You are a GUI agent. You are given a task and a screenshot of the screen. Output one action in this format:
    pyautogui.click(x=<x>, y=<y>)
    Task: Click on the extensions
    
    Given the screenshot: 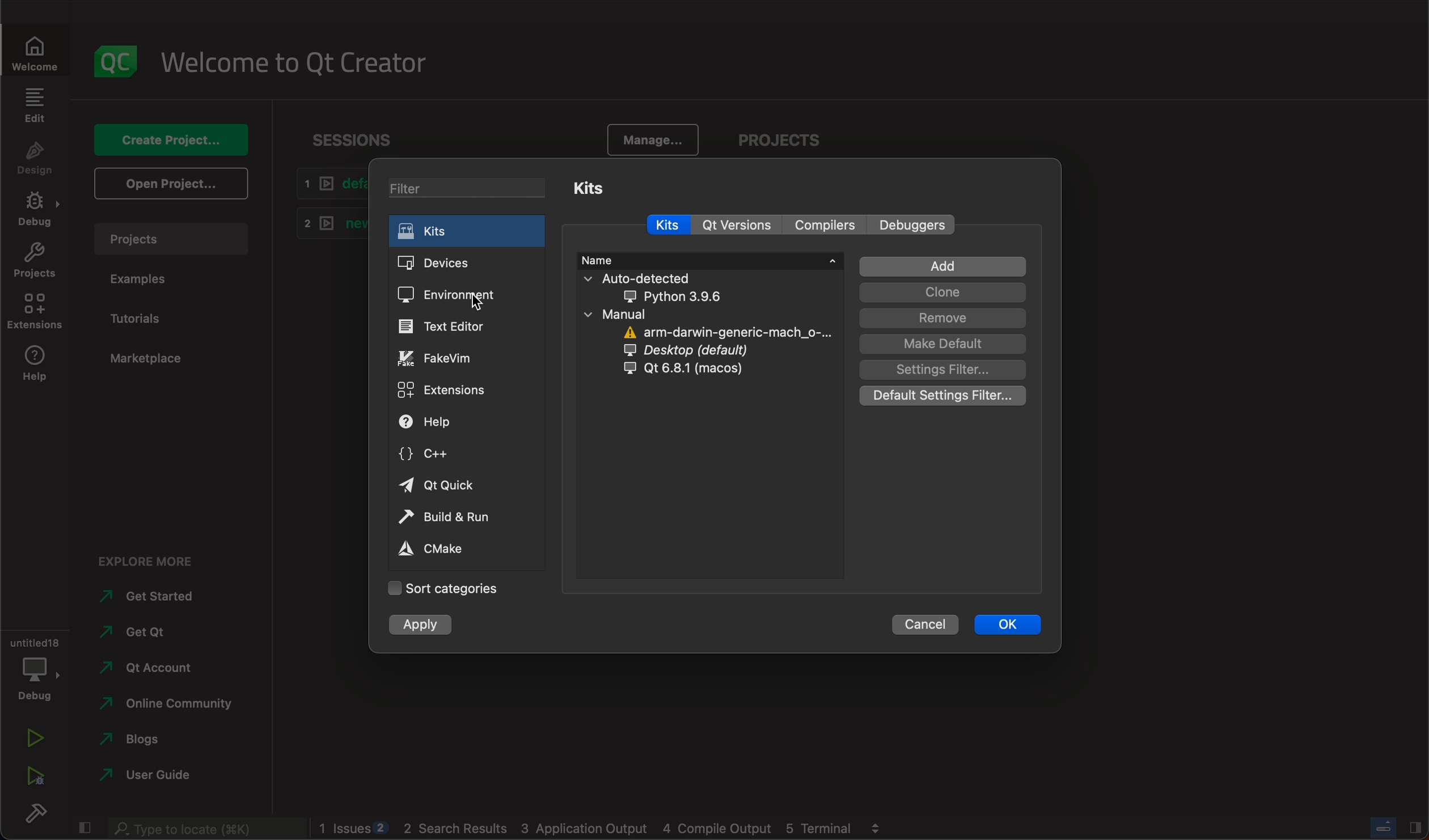 What is the action you would take?
    pyautogui.click(x=450, y=388)
    